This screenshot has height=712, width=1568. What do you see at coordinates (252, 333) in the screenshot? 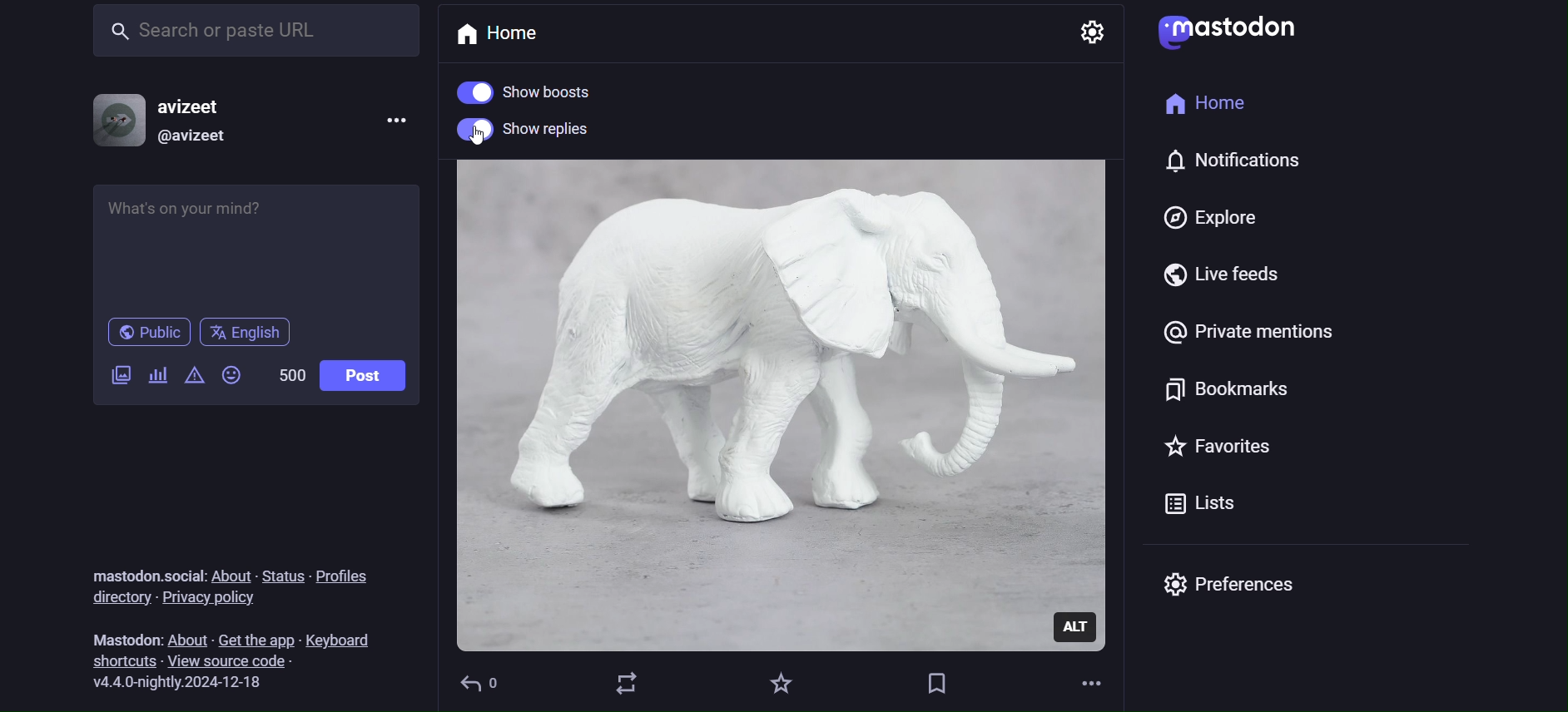
I see `language` at bounding box center [252, 333].